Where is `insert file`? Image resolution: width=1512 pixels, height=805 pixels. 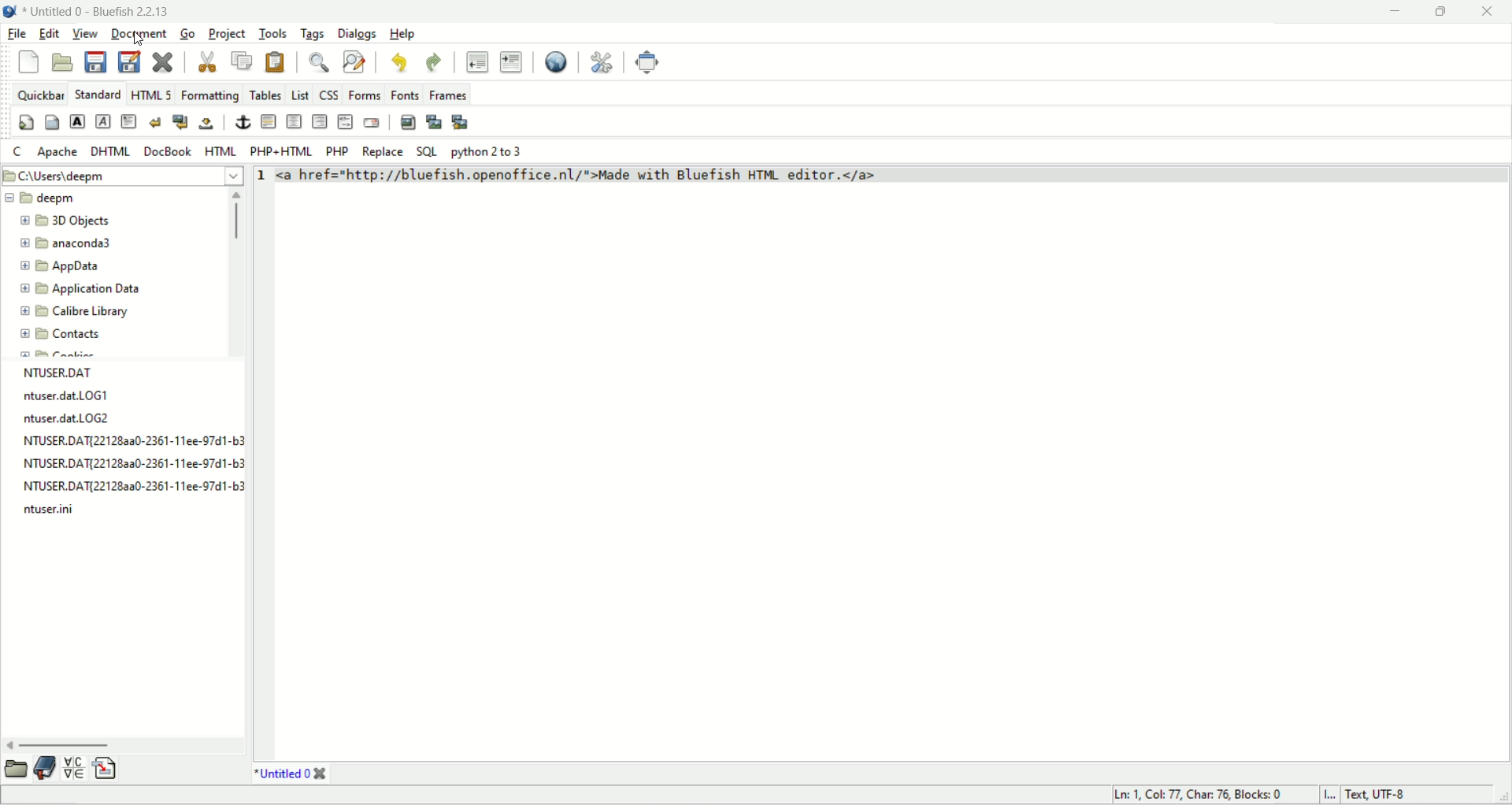
insert file is located at coordinates (111, 766).